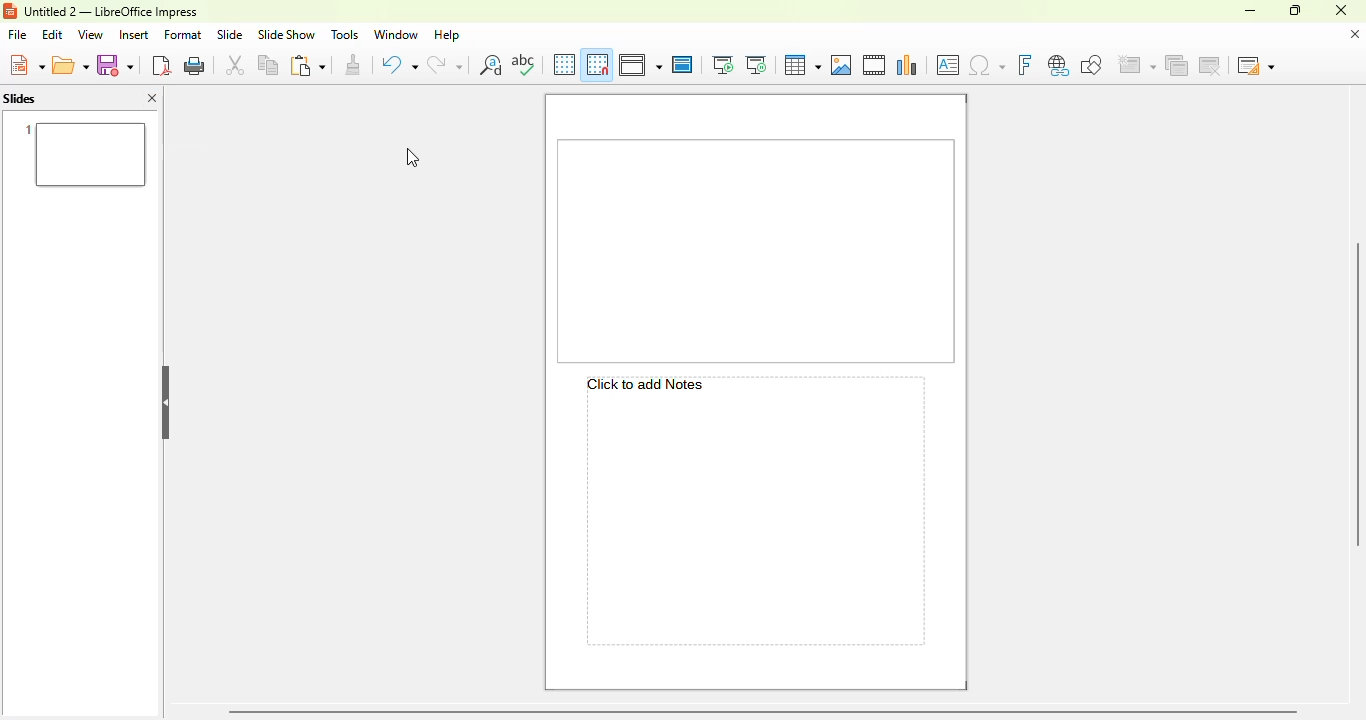  Describe the element at coordinates (803, 65) in the screenshot. I see `table` at that location.